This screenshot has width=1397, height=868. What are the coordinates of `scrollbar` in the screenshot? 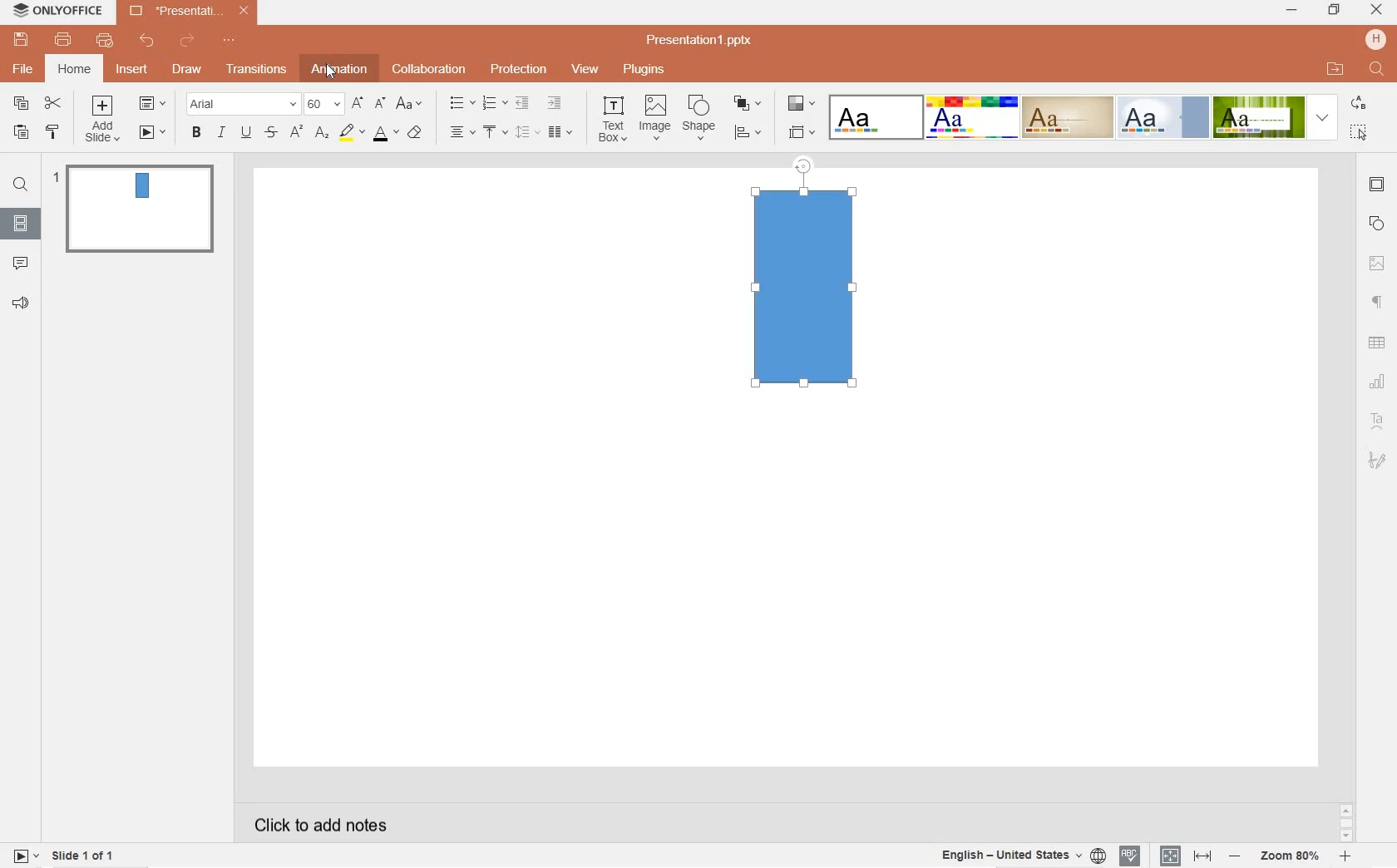 It's located at (1345, 822).